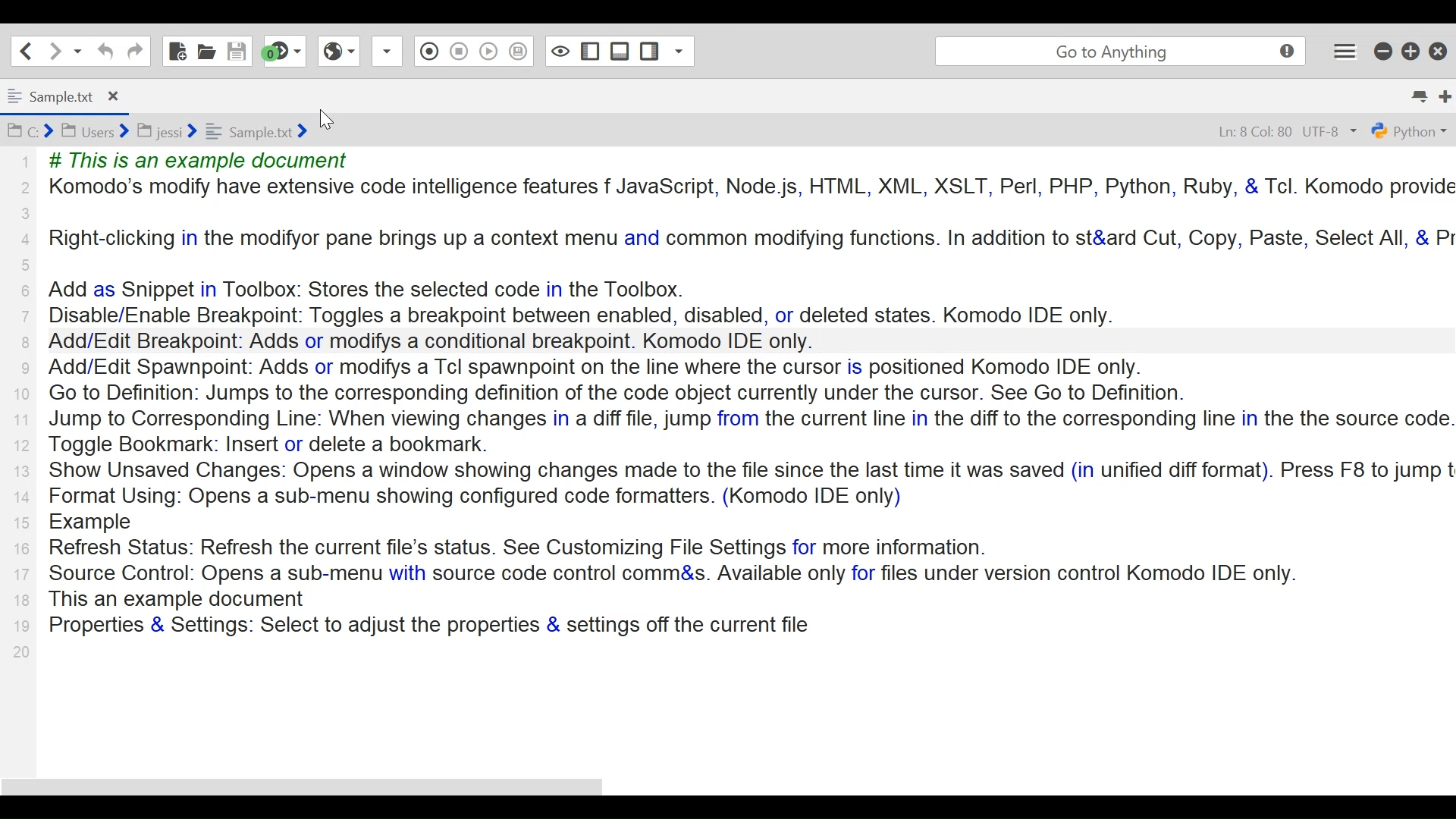 The image size is (1456, 819). I want to click on Stop Recording in Macro, so click(459, 52).